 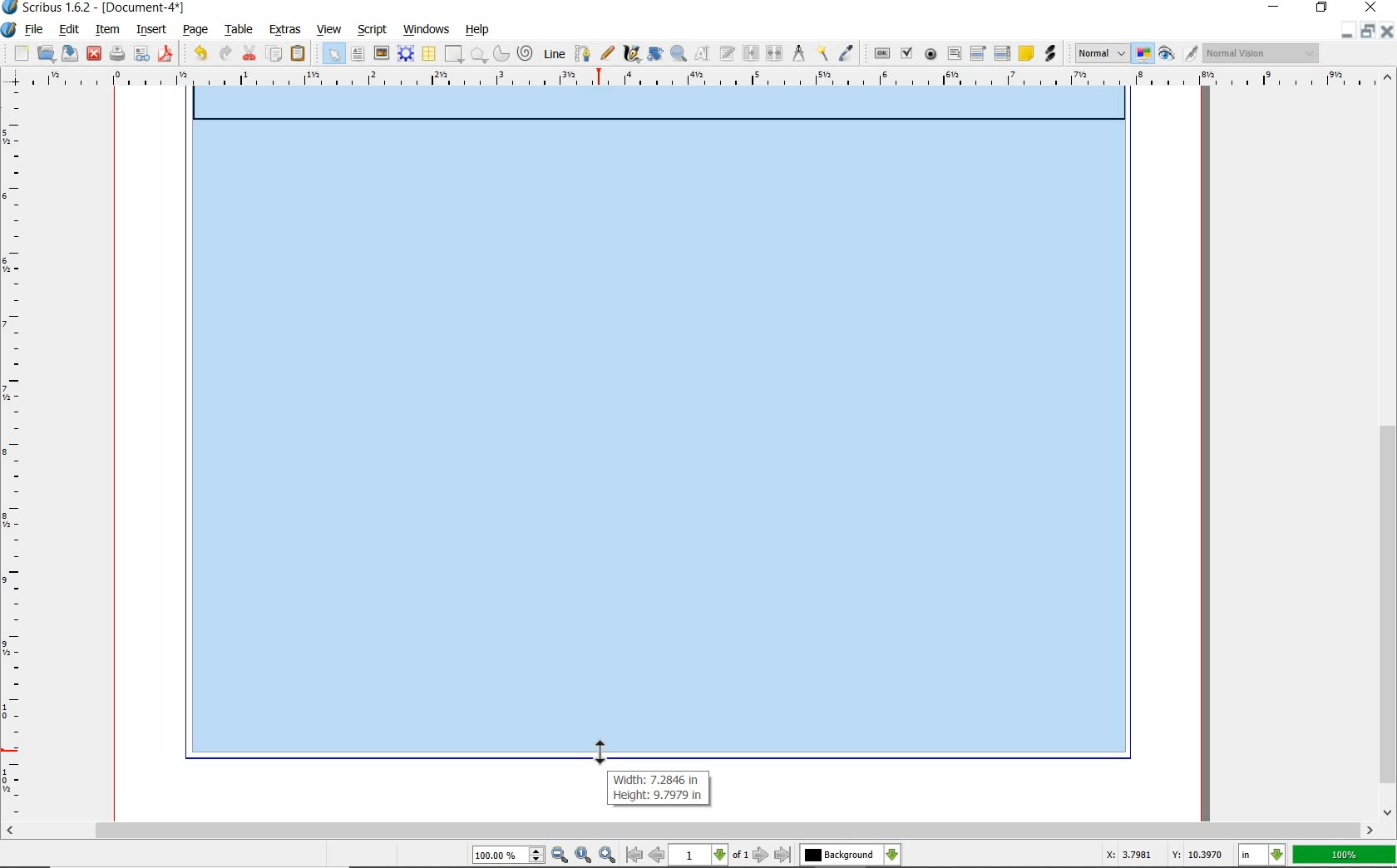 I want to click on close, so click(x=94, y=54).